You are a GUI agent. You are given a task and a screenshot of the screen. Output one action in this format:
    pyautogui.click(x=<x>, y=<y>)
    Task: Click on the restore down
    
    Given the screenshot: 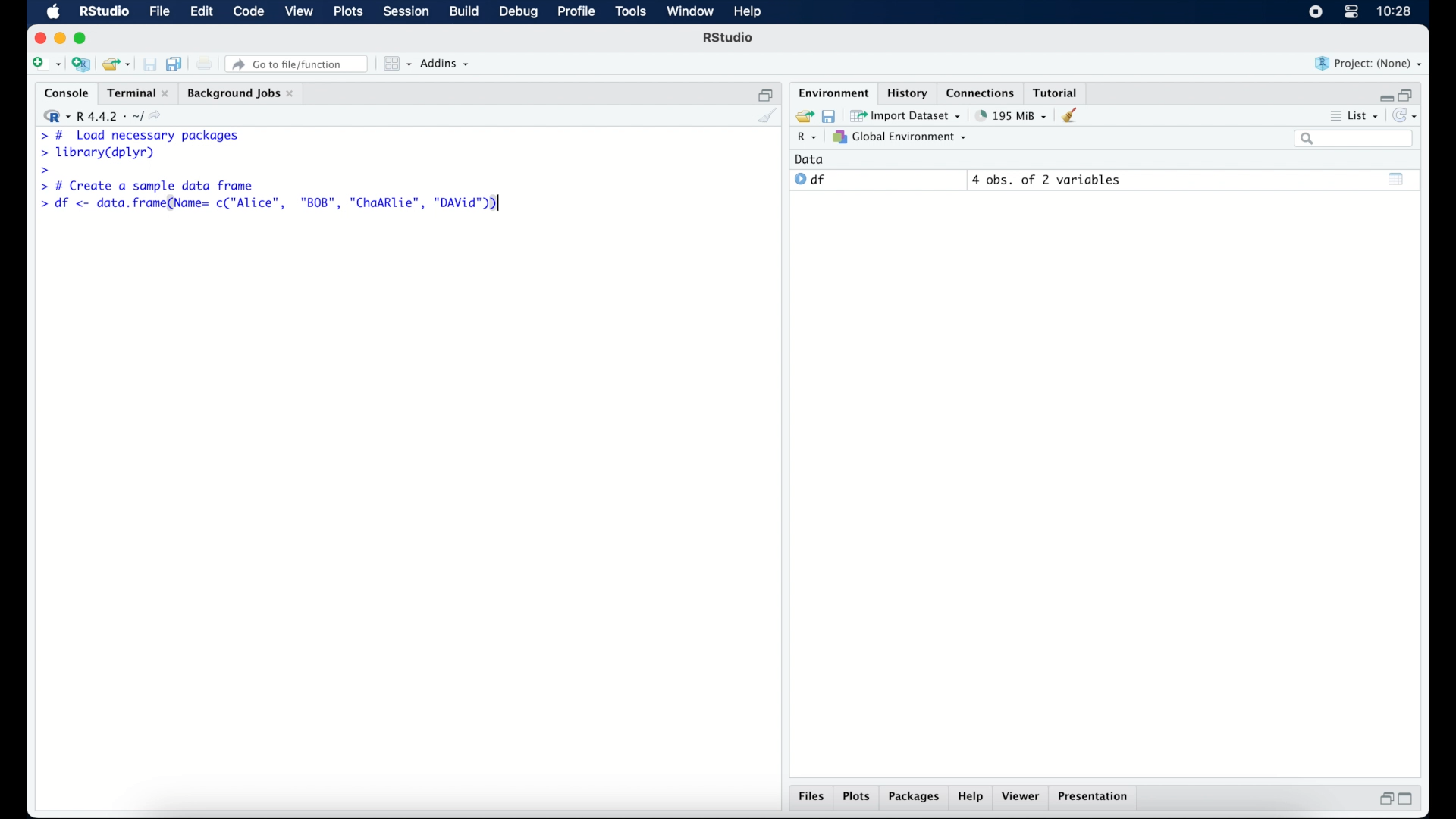 What is the action you would take?
    pyautogui.click(x=766, y=93)
    